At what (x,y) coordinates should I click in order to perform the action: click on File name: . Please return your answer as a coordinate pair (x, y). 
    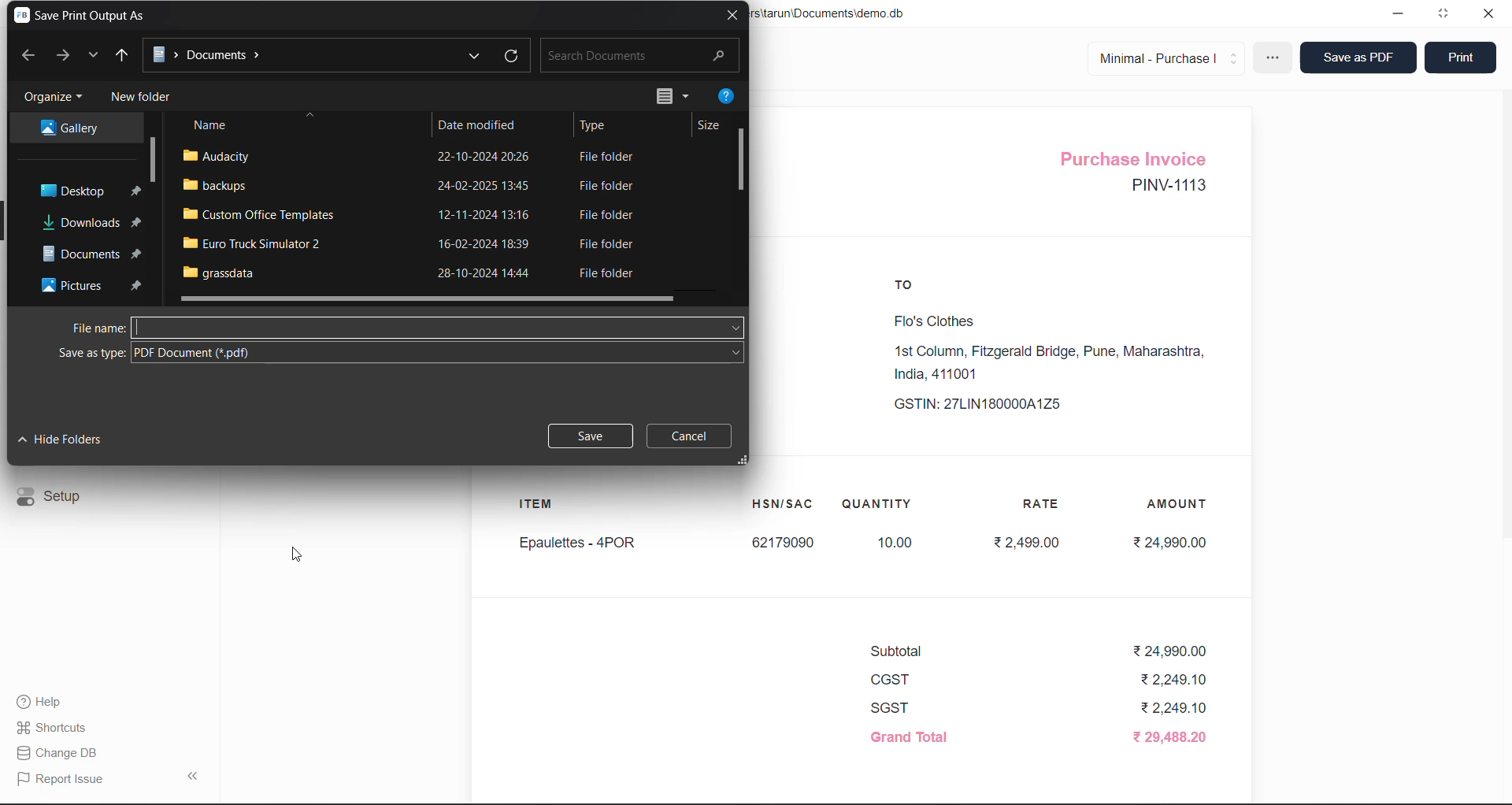
    Looking at the image, I should click on (99, 328).